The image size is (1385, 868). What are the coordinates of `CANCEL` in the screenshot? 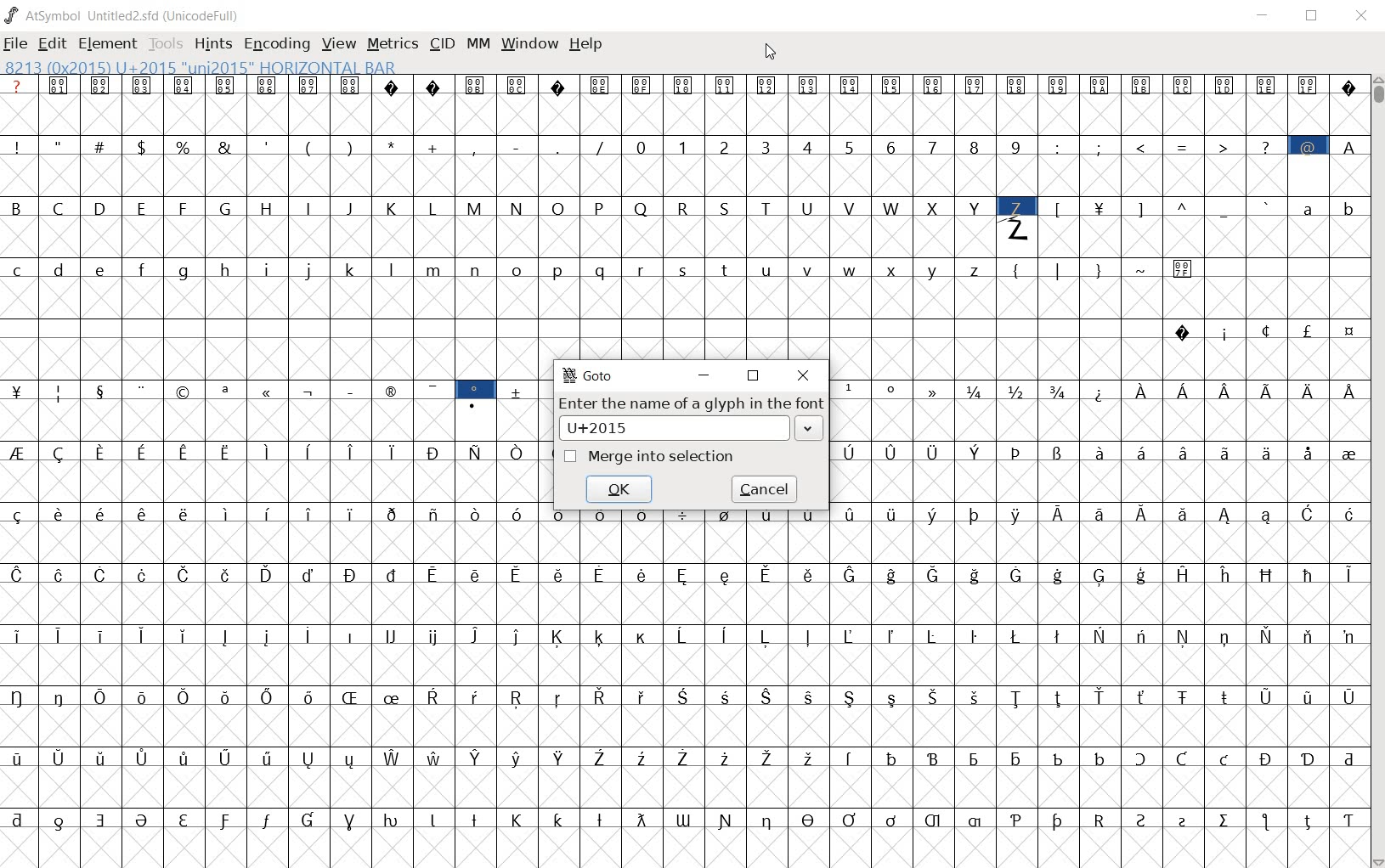 It's located at (766, 488).